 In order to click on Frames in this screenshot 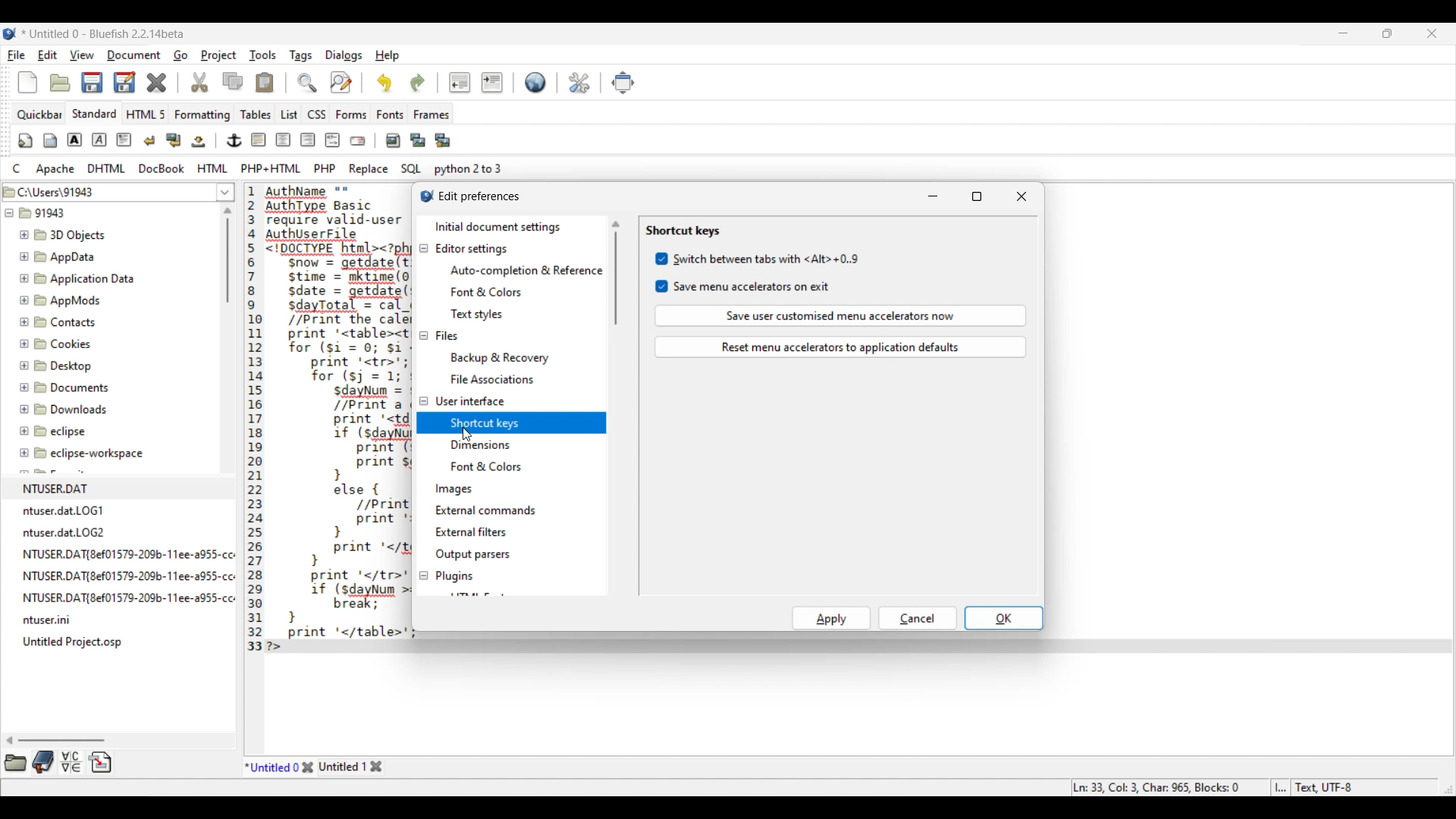, I will do `click(431, 115)`.